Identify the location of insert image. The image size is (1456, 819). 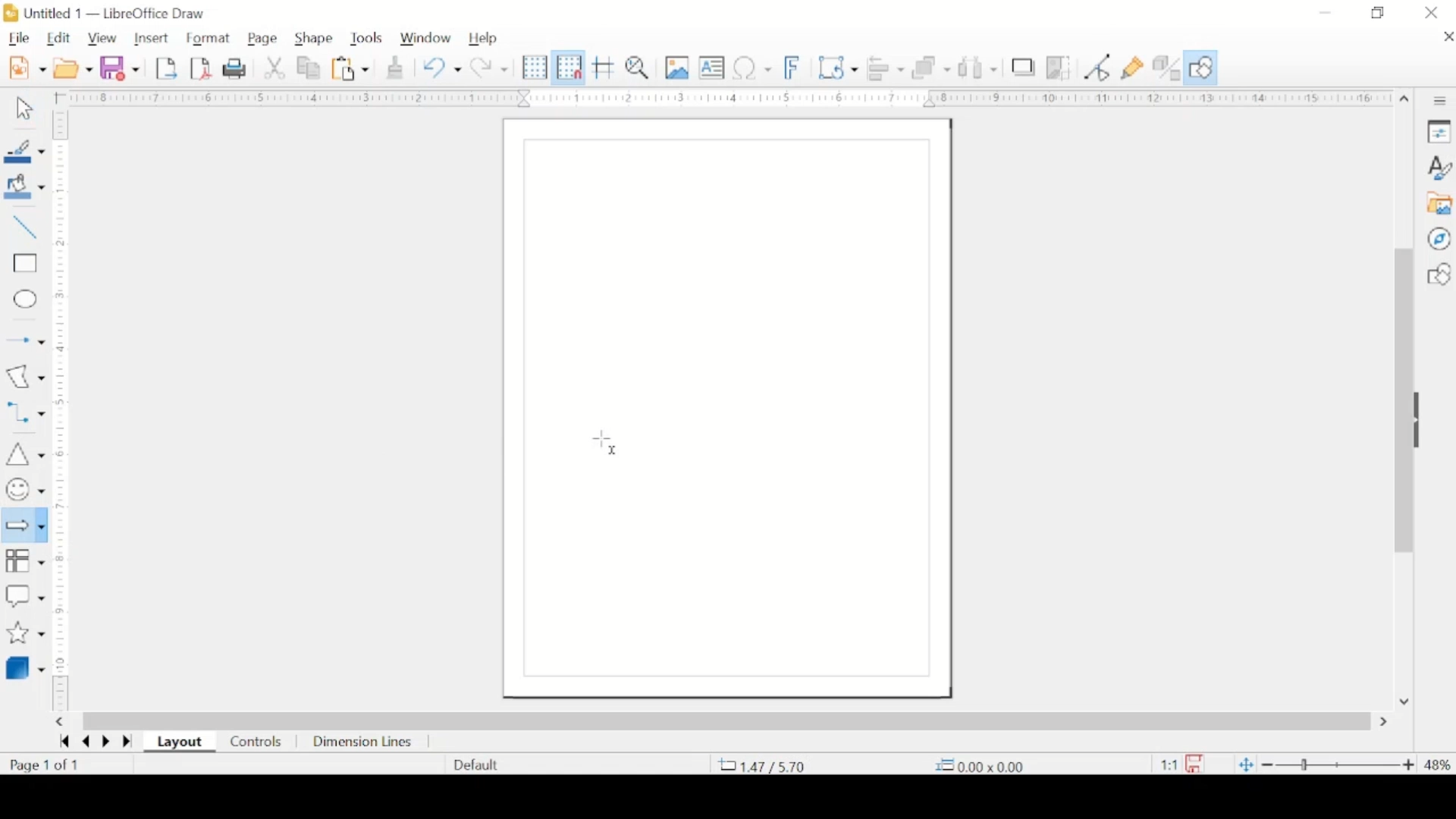
(677, 67).